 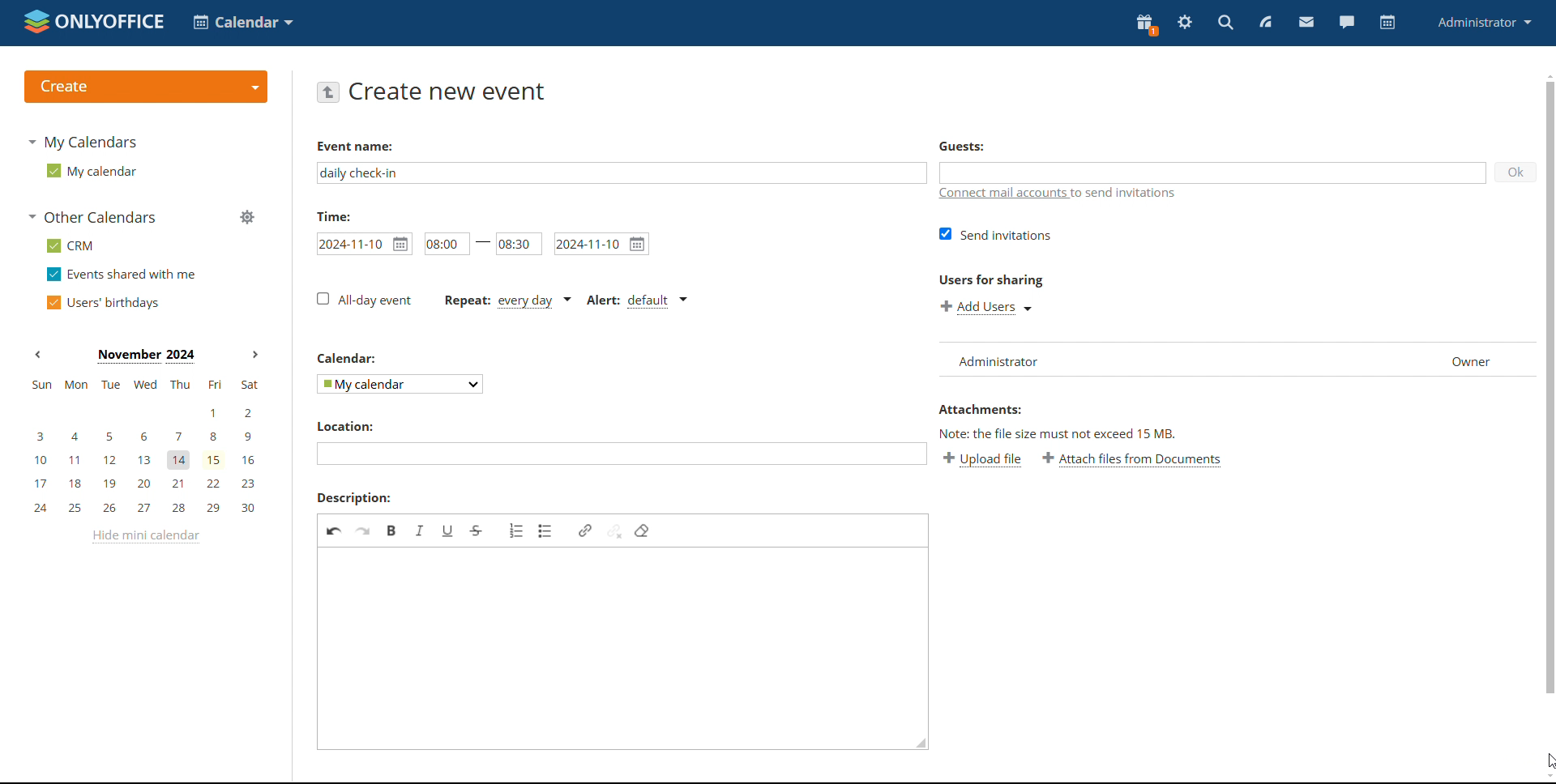 I want to click on create new event, so click(x=447, y=92).